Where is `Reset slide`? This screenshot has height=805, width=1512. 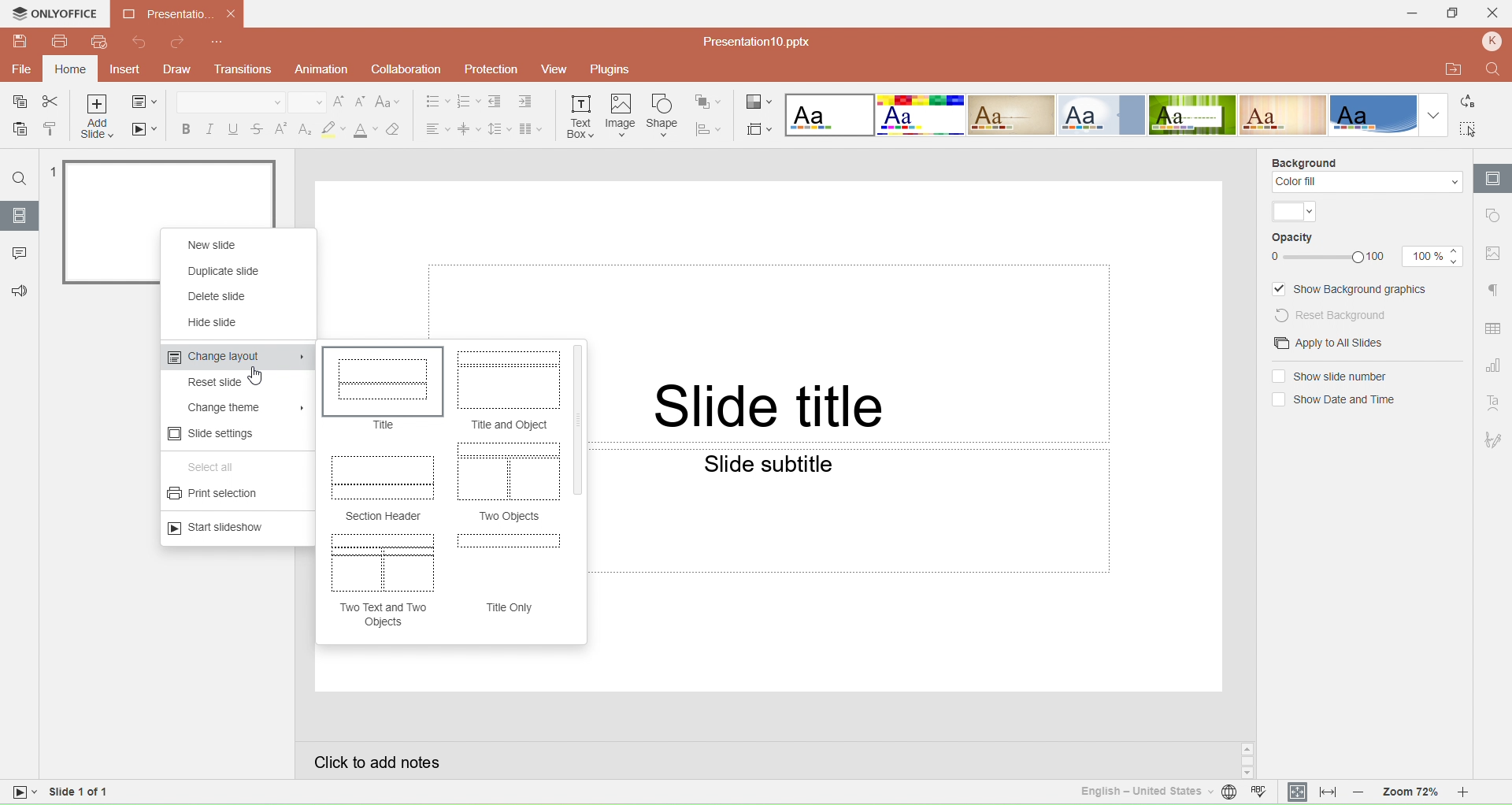 Reset slide is located at coordinates (227, 384).